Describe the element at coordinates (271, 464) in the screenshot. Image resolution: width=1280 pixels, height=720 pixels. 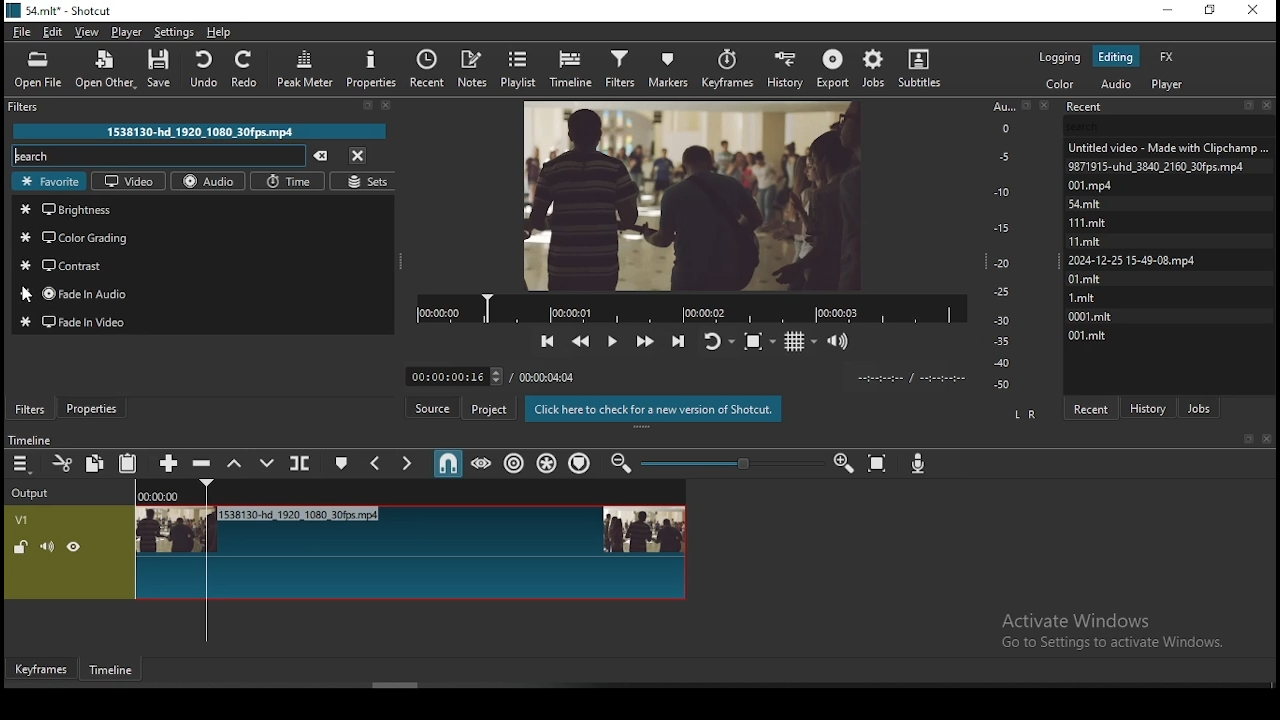
I see `overwrite` at that location.